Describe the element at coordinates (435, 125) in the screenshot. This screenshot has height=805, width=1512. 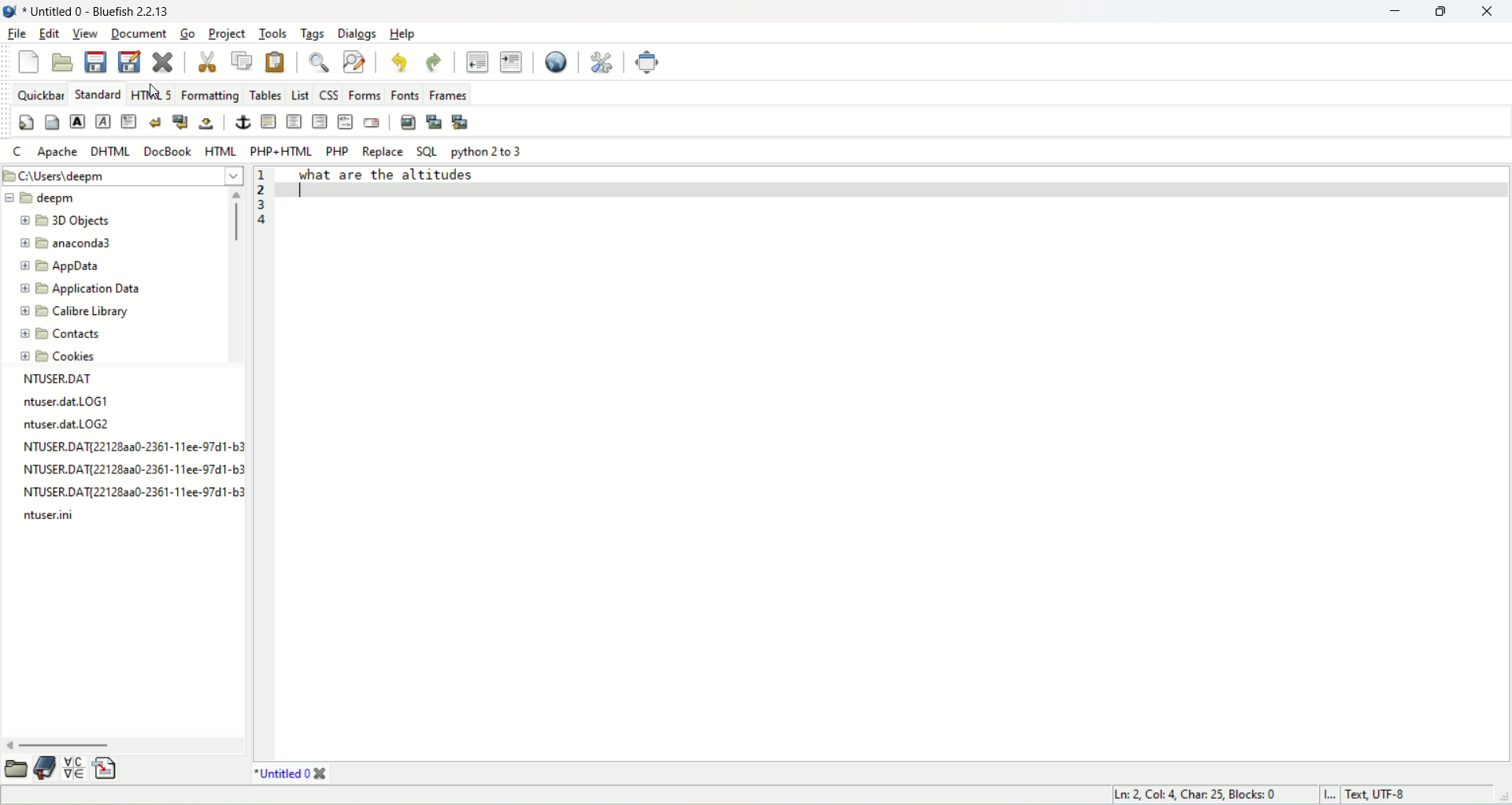
I see `insert thumbnail` at that location.